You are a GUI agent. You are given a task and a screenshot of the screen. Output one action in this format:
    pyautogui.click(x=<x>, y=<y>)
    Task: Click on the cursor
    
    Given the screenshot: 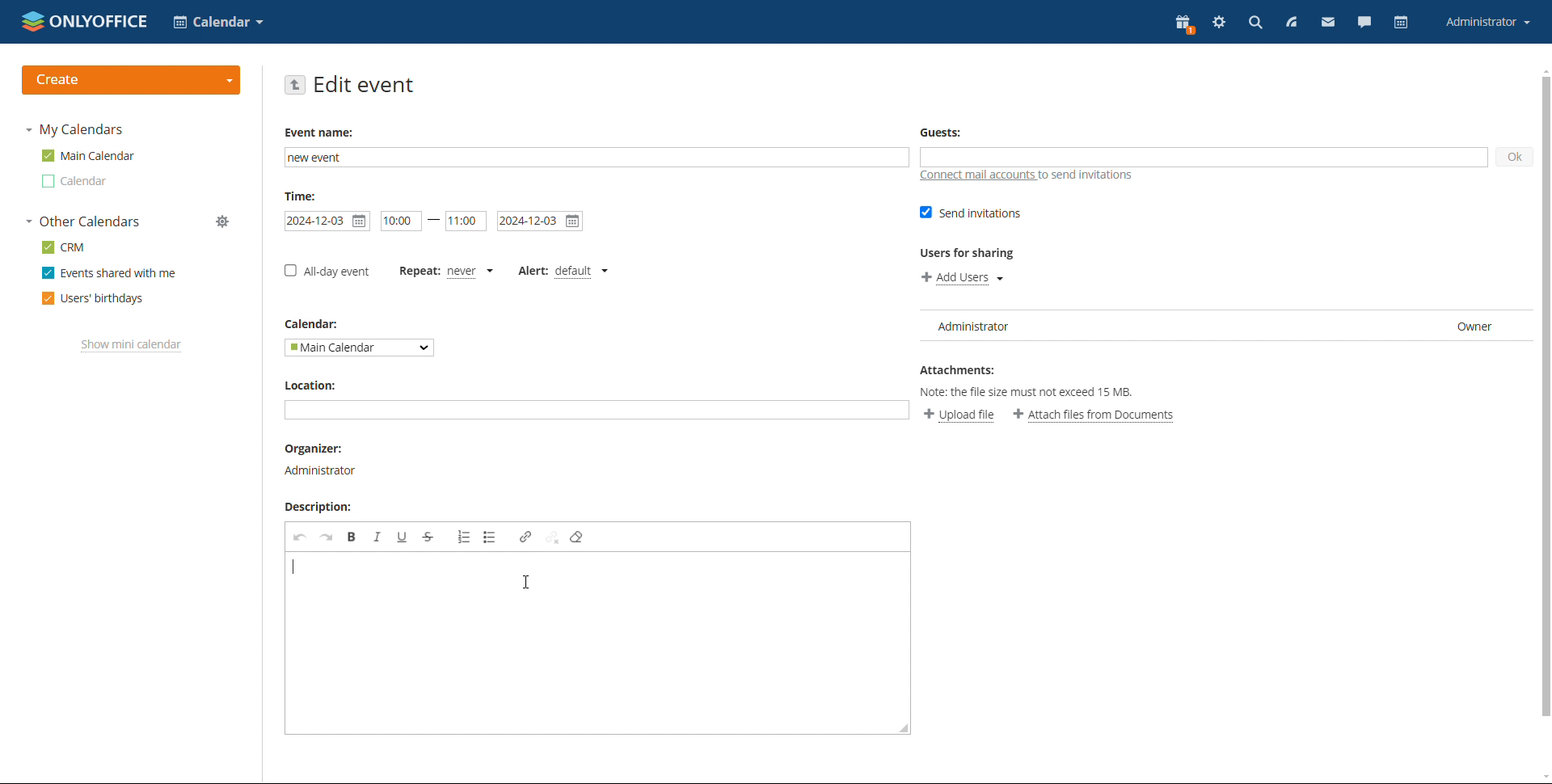 What is the action you would take?
    pyautogui.click(x=526, y=582)
    